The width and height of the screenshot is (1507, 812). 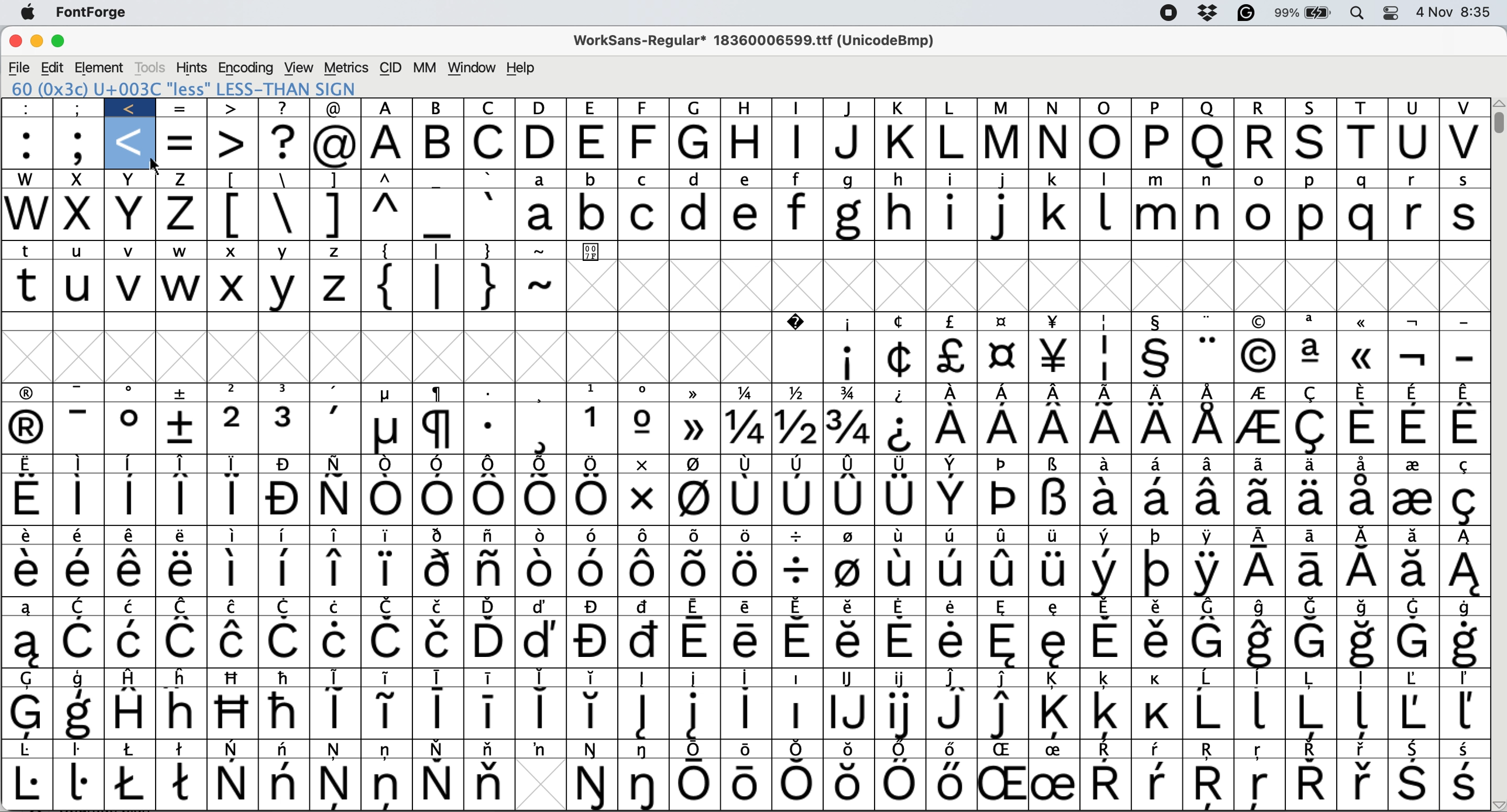 What do you see at coordinates (1107, 215) in the screenshot?
I see `l` at bounding box center [1107, 215].